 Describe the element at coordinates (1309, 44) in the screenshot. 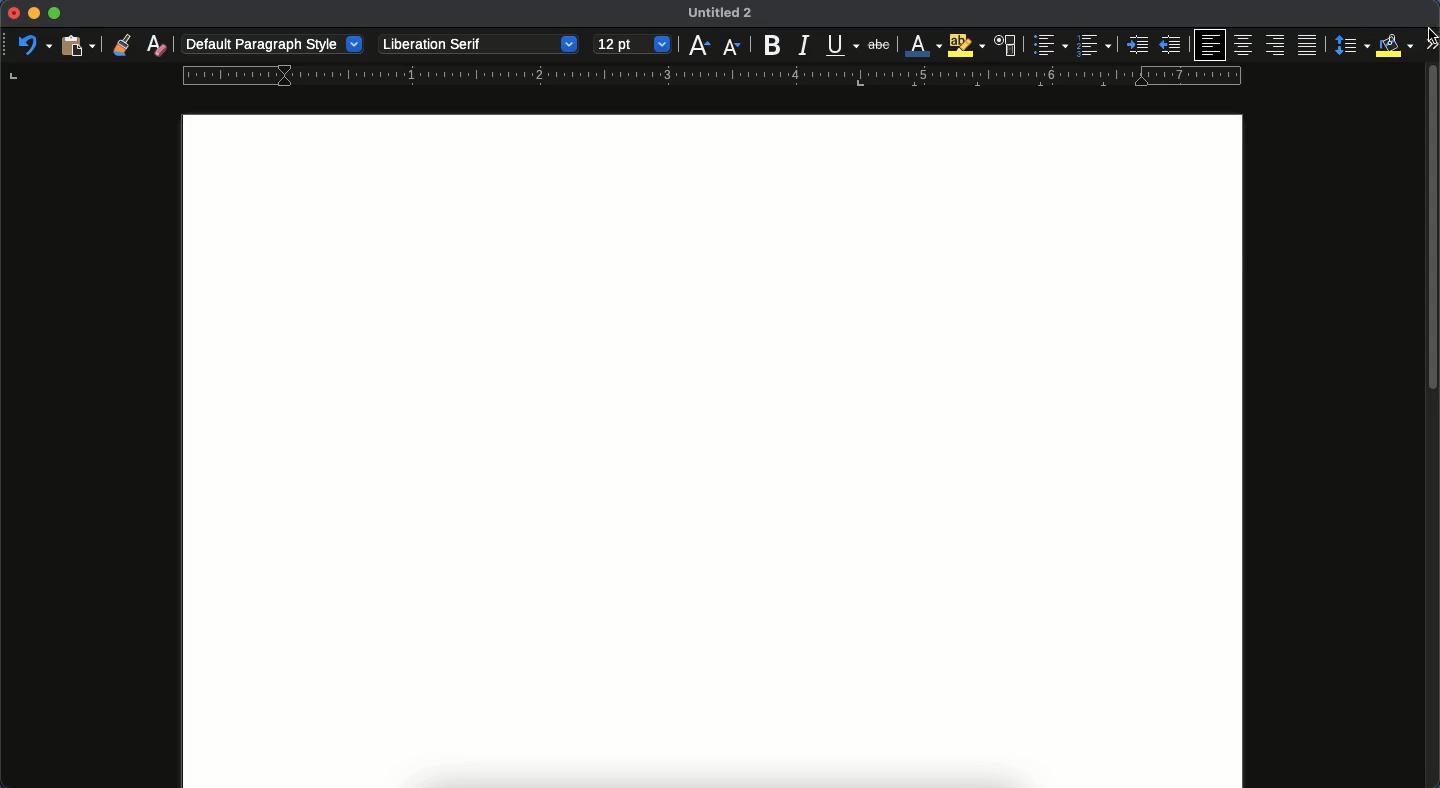

I see `justify` at that location.